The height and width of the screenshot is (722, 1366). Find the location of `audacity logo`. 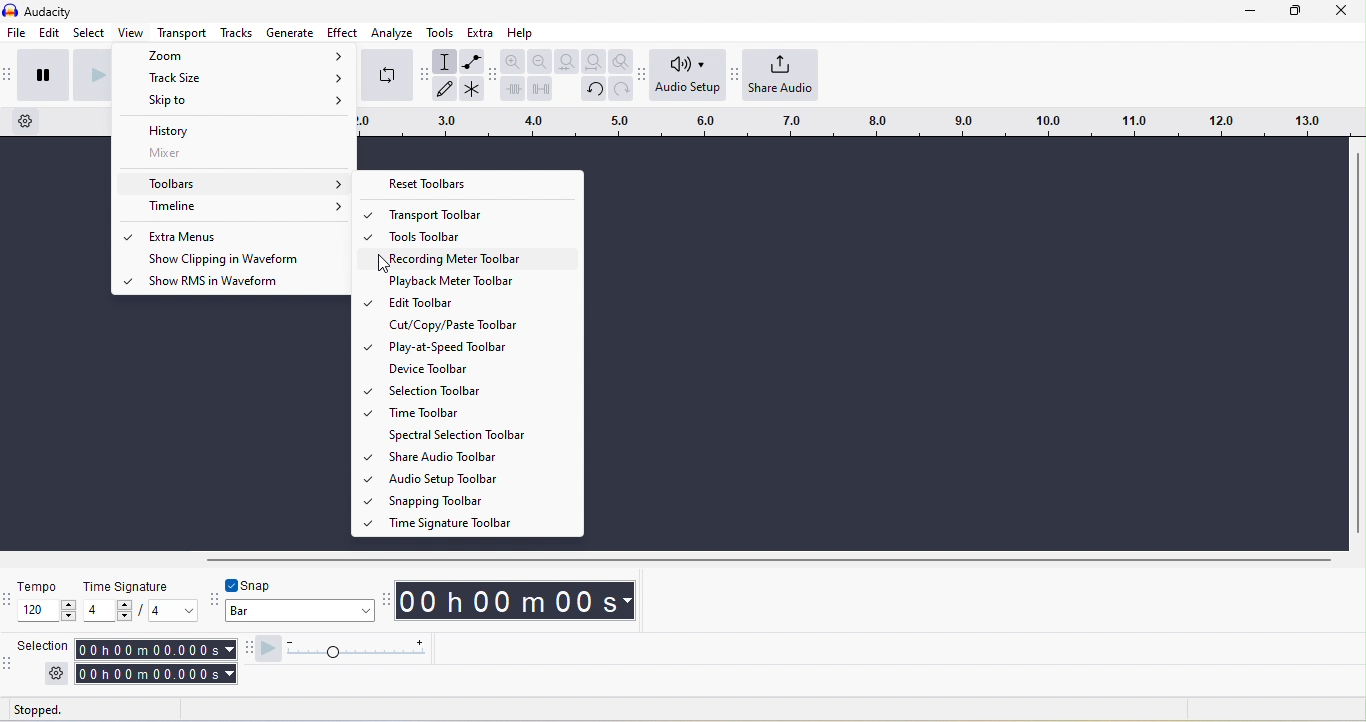

audacity logo is located at coordinates (10, 10).